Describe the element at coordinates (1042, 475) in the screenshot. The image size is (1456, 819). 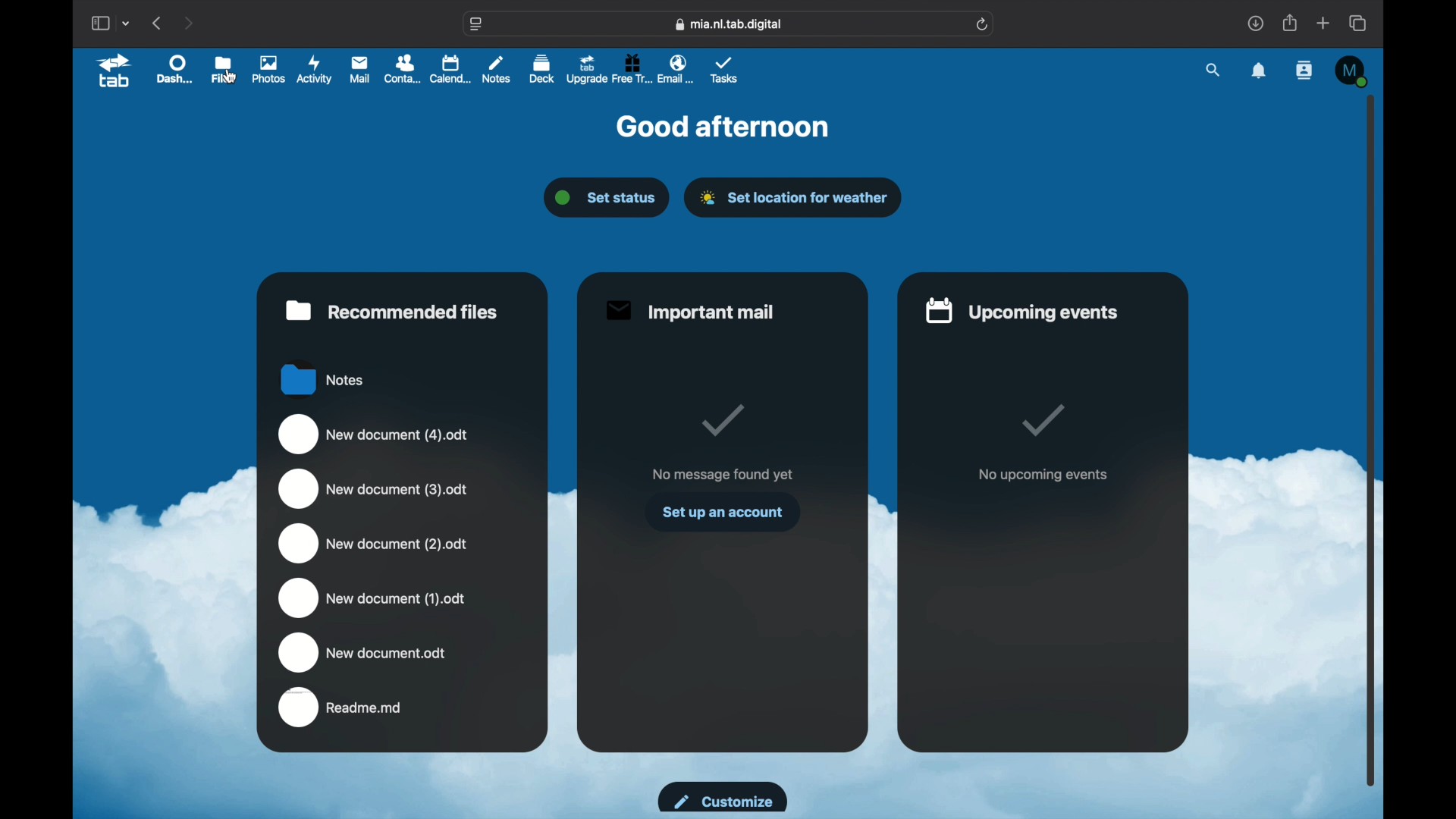
I see `no upcoming events` at that location.